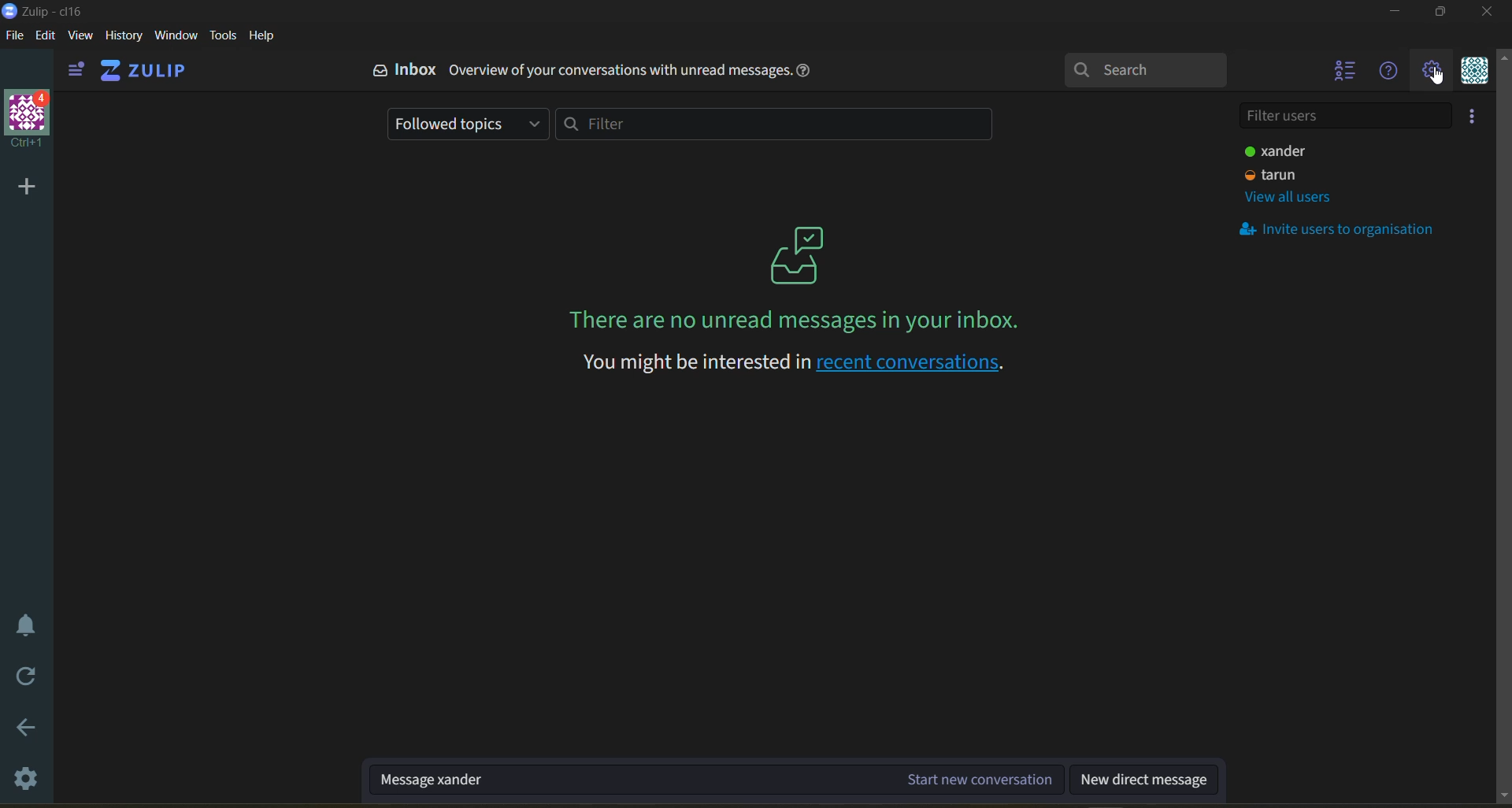 This screenshot has height=808, width=1512. Describe the element at coordinates (1487, 17) in the screenshot. I see `Close` at that location.